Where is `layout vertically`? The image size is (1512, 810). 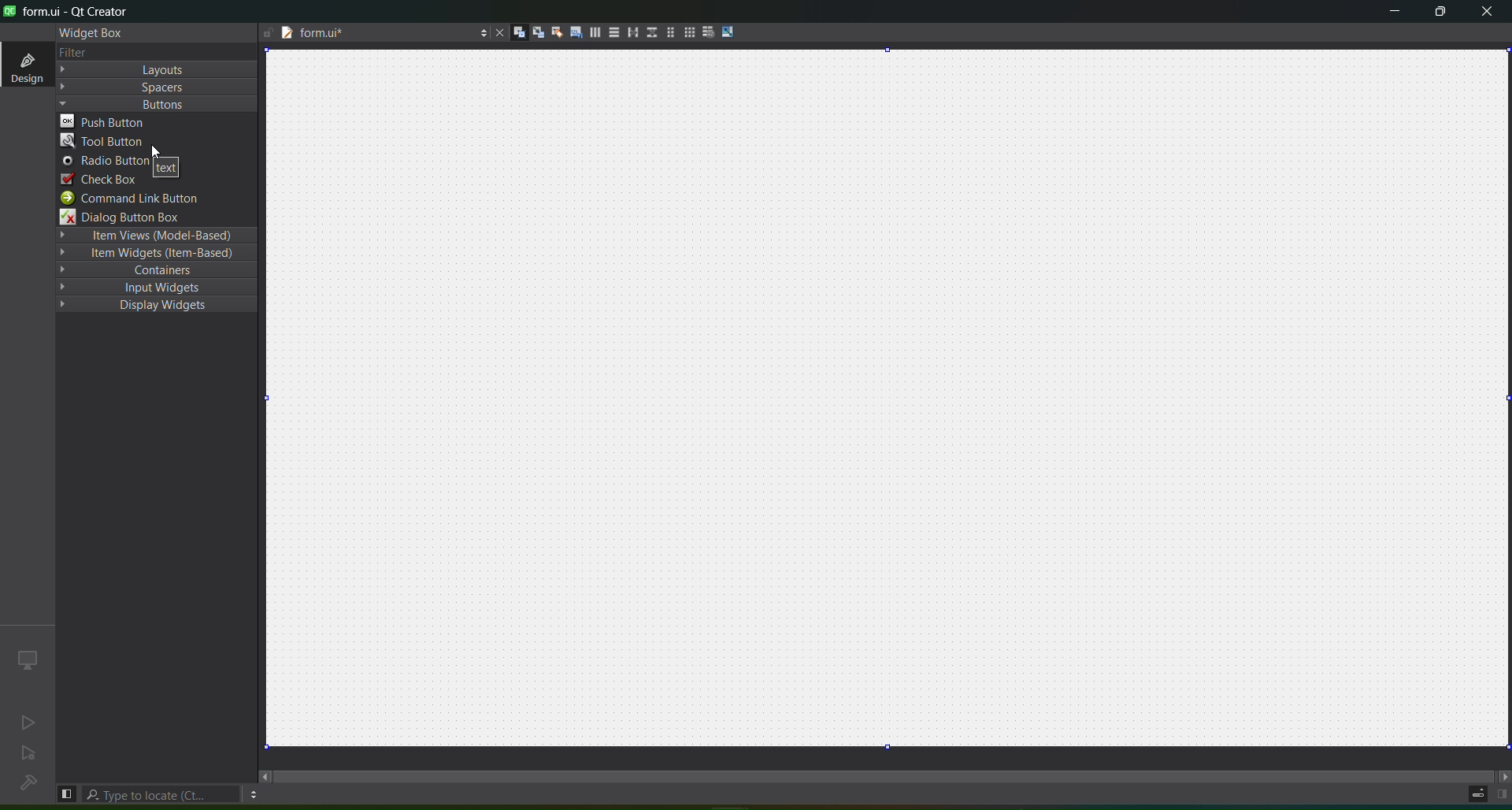
layout vertically is located at coordinates (612, 34).